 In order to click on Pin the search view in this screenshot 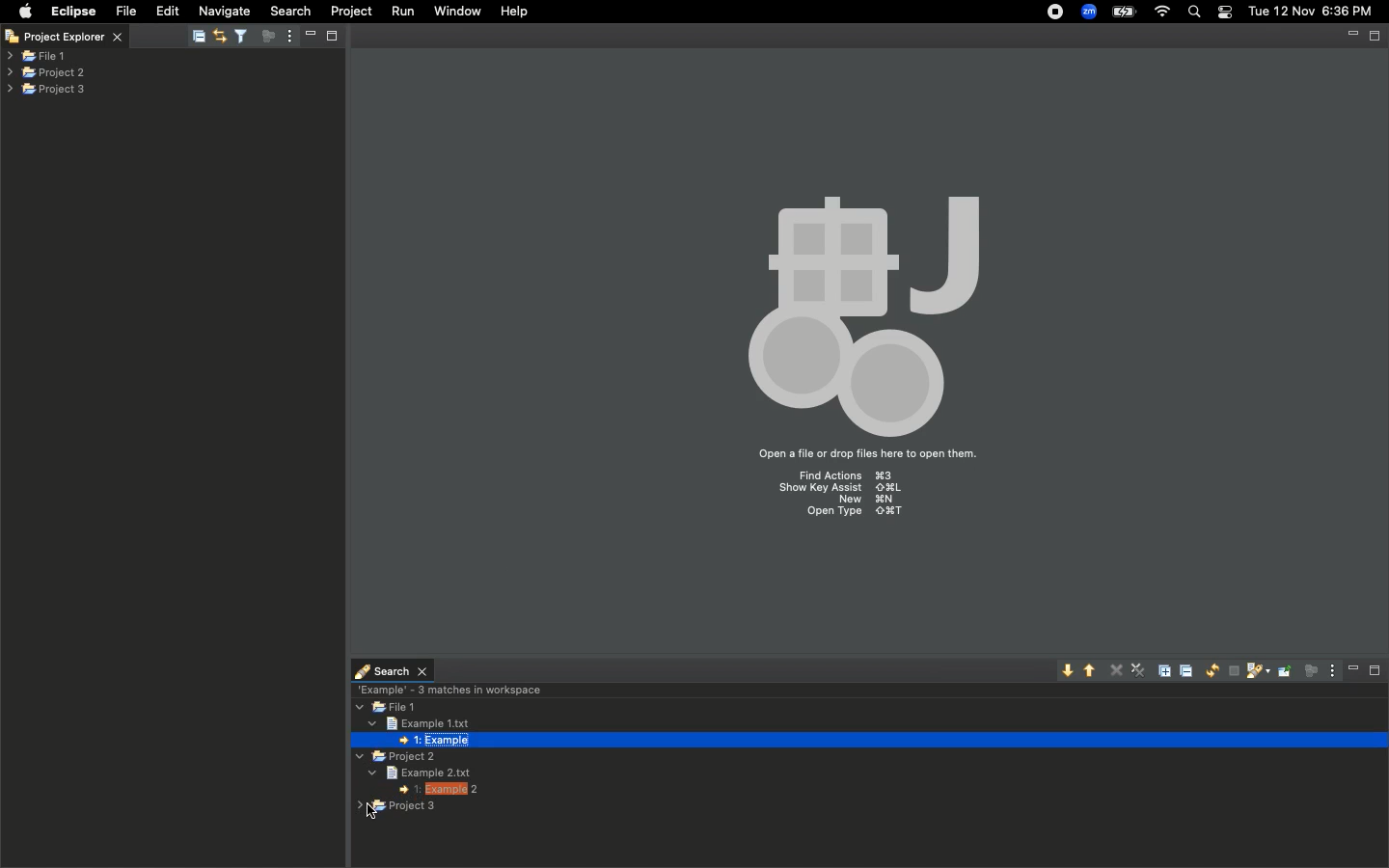, I will do `click(1283, 670)`.